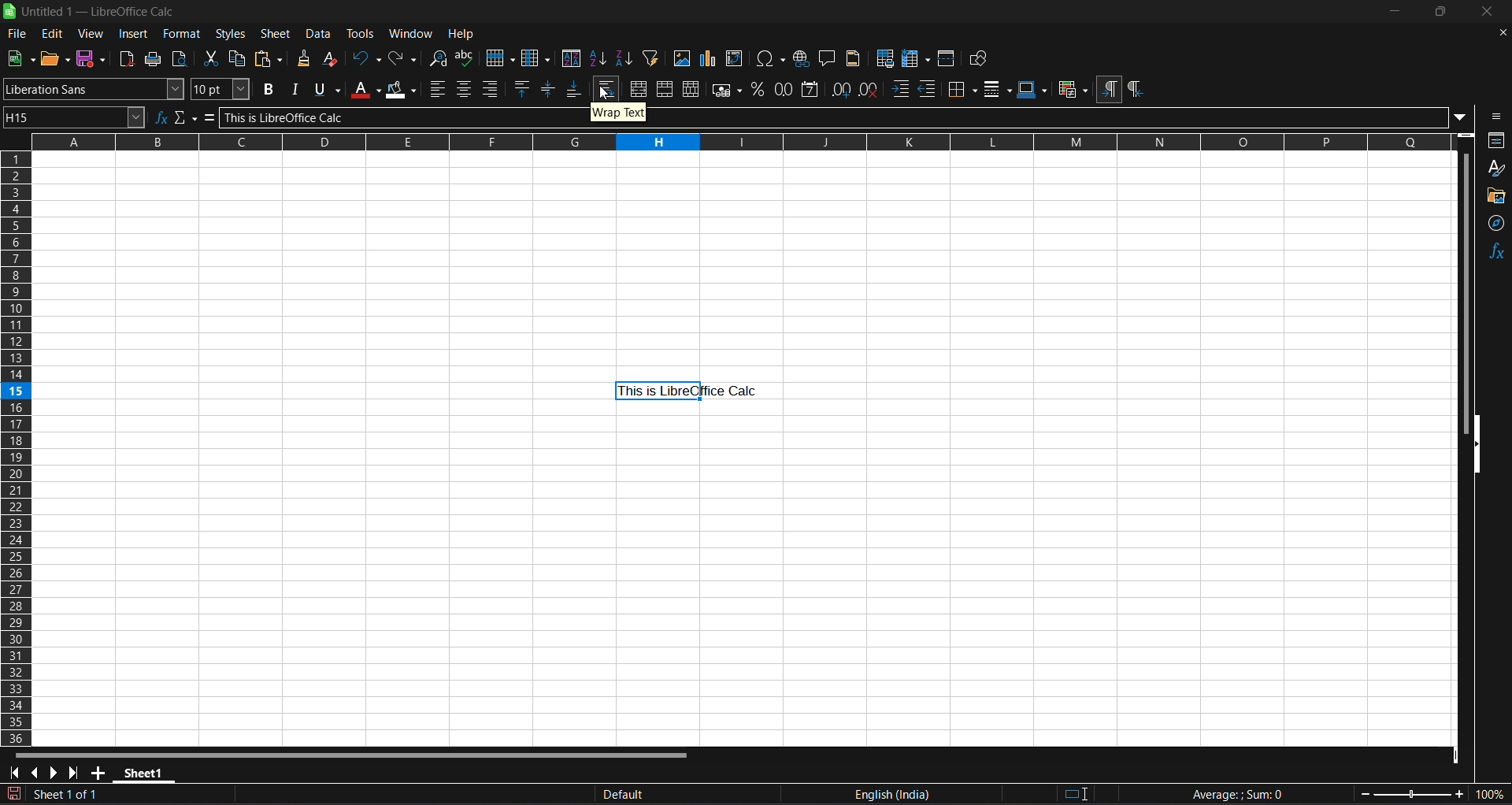 The image size is (1512, 805). I want to click on align left, so click(439, 89).